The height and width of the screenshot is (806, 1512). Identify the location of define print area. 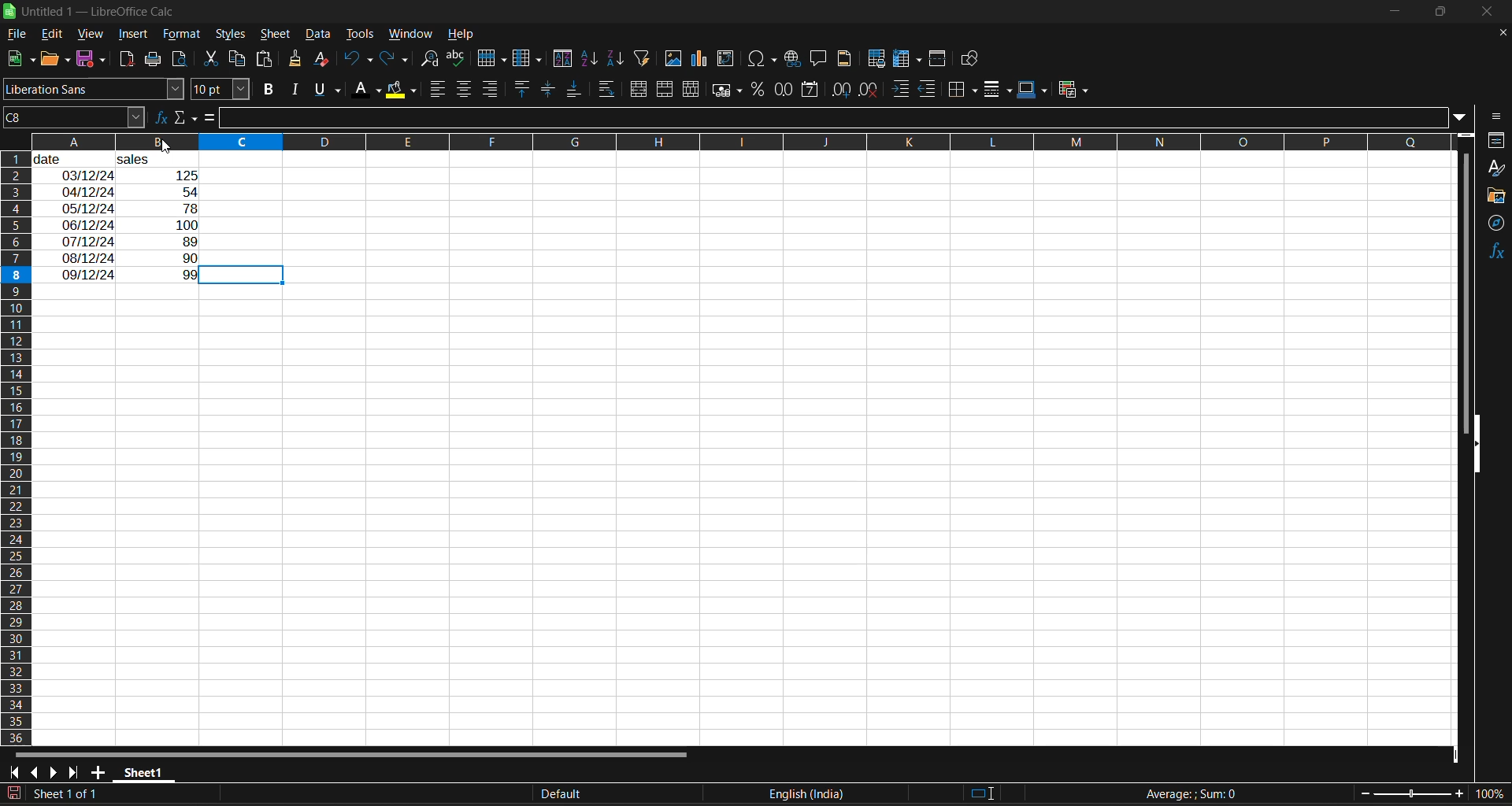
(880, 60).